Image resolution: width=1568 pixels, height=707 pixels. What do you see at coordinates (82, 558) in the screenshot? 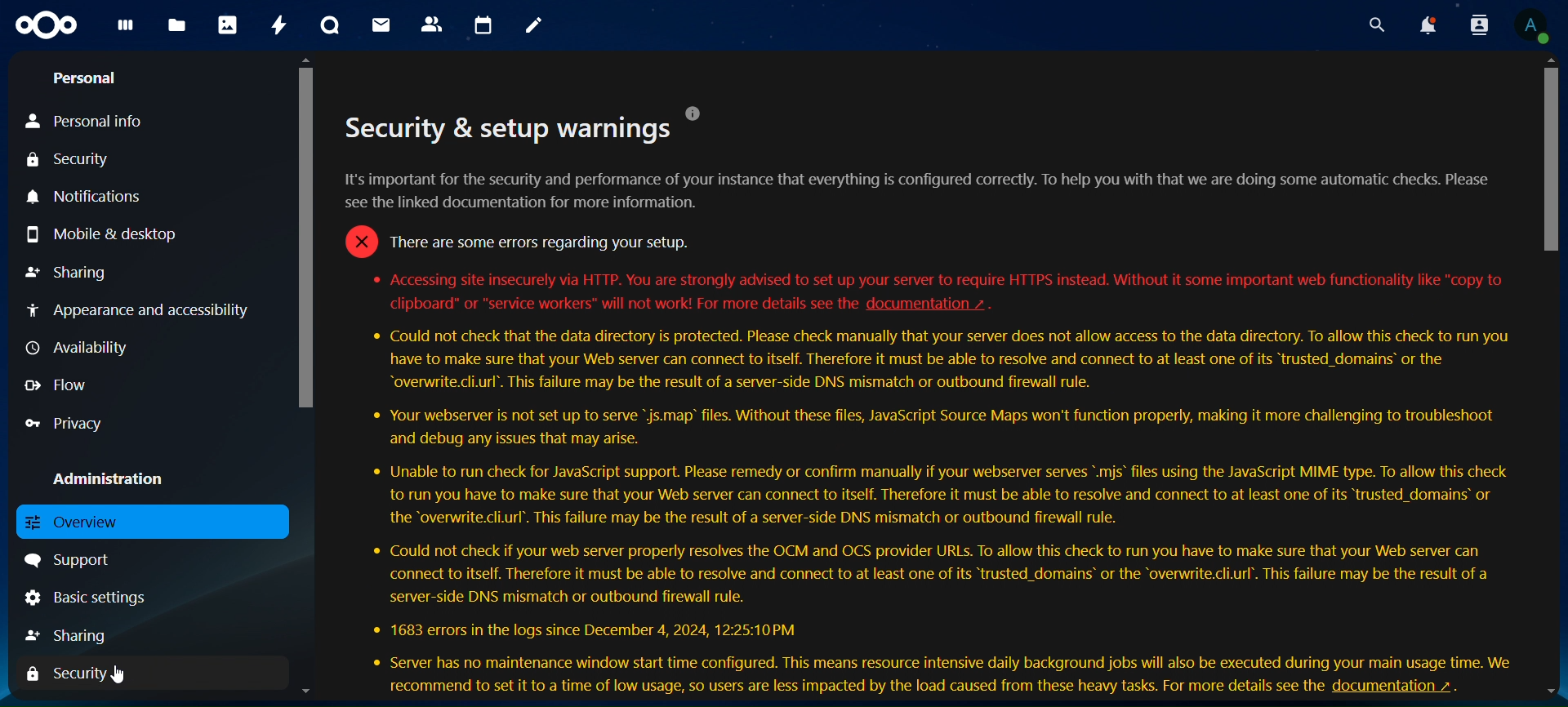
I see `support` at bounding box center [82, 558].